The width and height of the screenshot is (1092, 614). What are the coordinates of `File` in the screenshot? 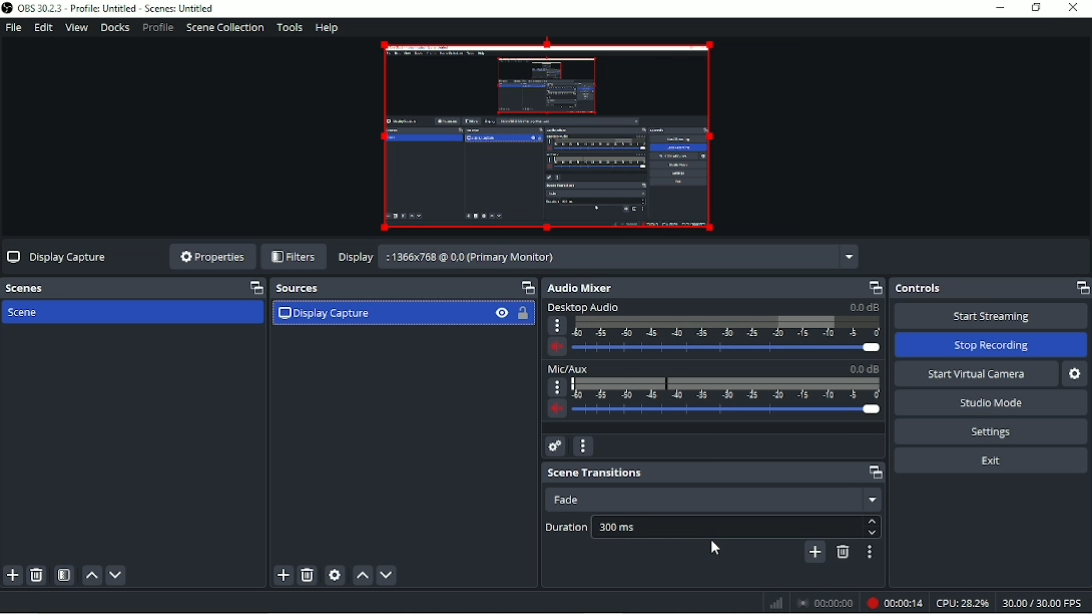 It's located at (14, 27).